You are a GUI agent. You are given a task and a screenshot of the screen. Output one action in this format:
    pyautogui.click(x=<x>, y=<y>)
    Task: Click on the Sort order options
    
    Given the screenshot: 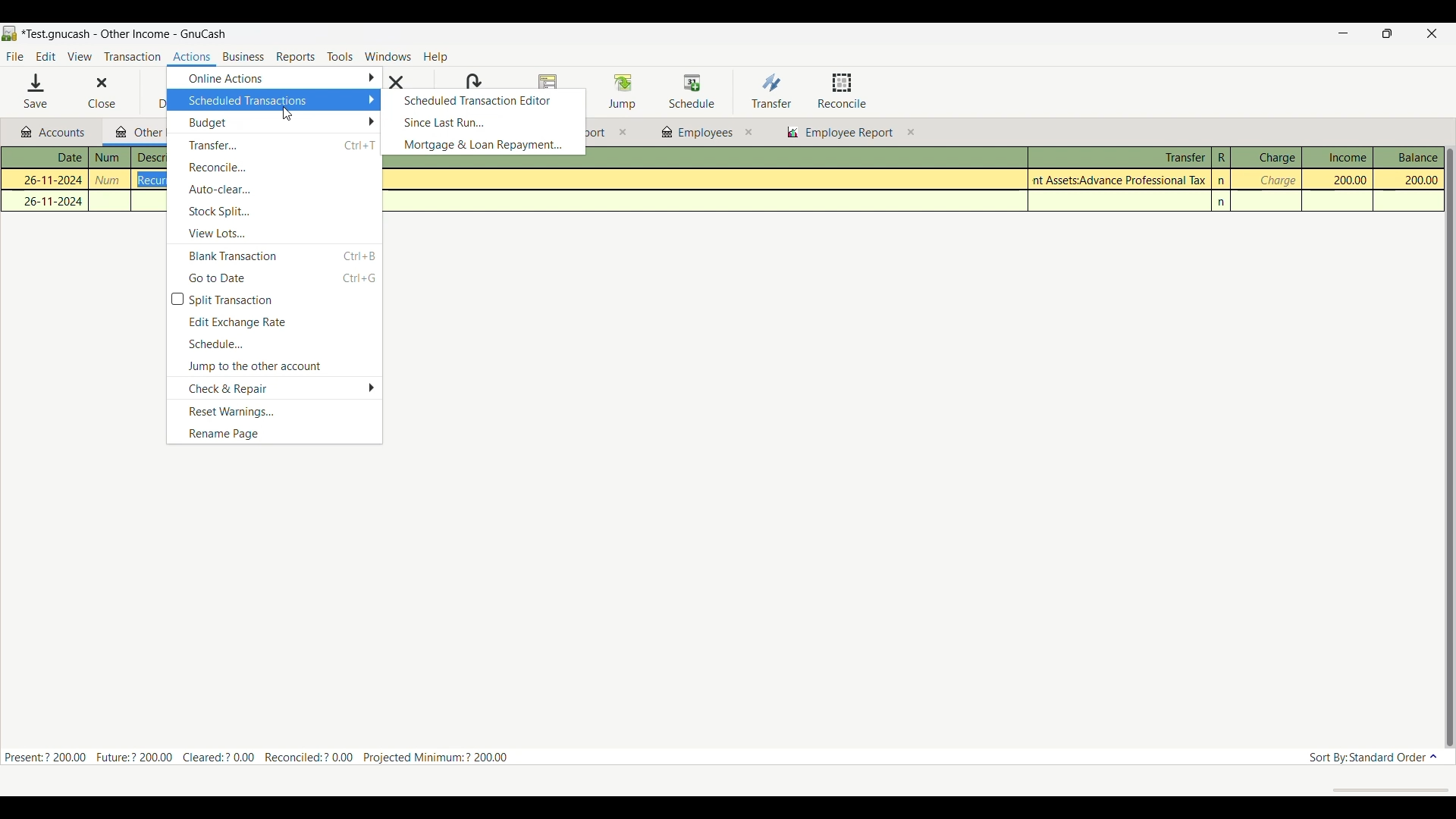 What is the action you would take?
    pyautogui.click(x=1373, y=758)
    